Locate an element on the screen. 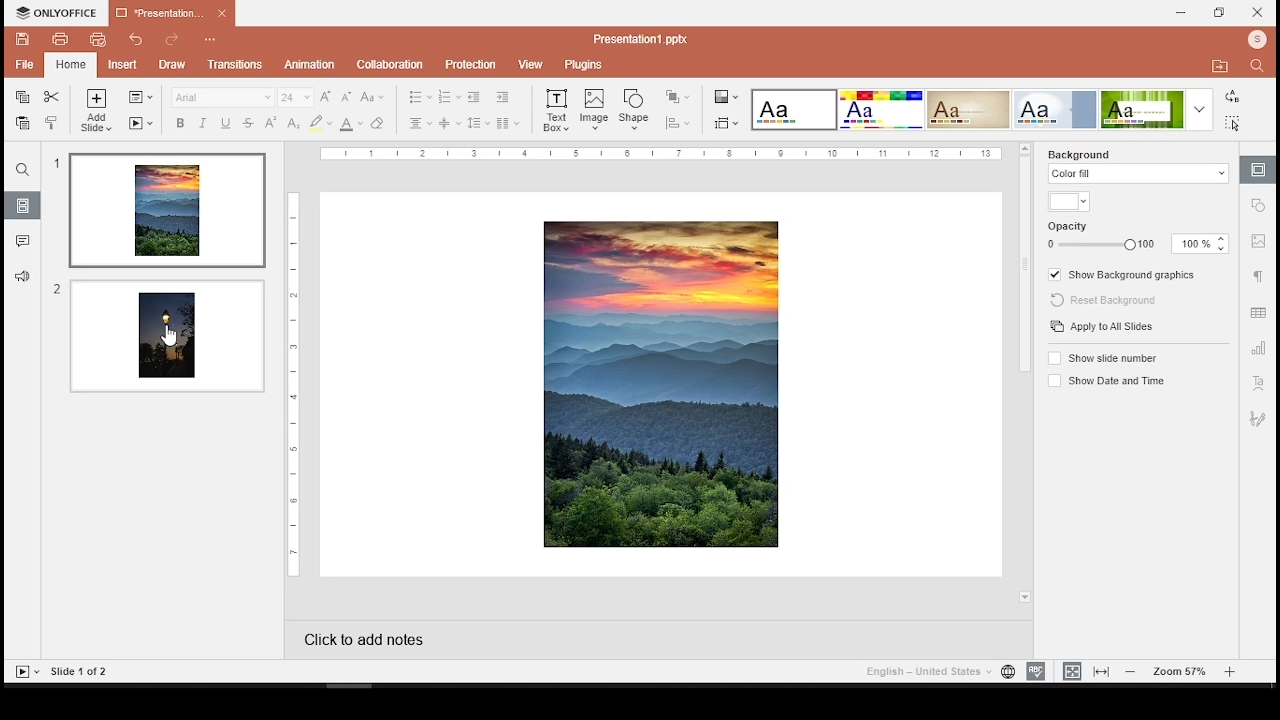  collaboration is located at coordinates (388, 62).